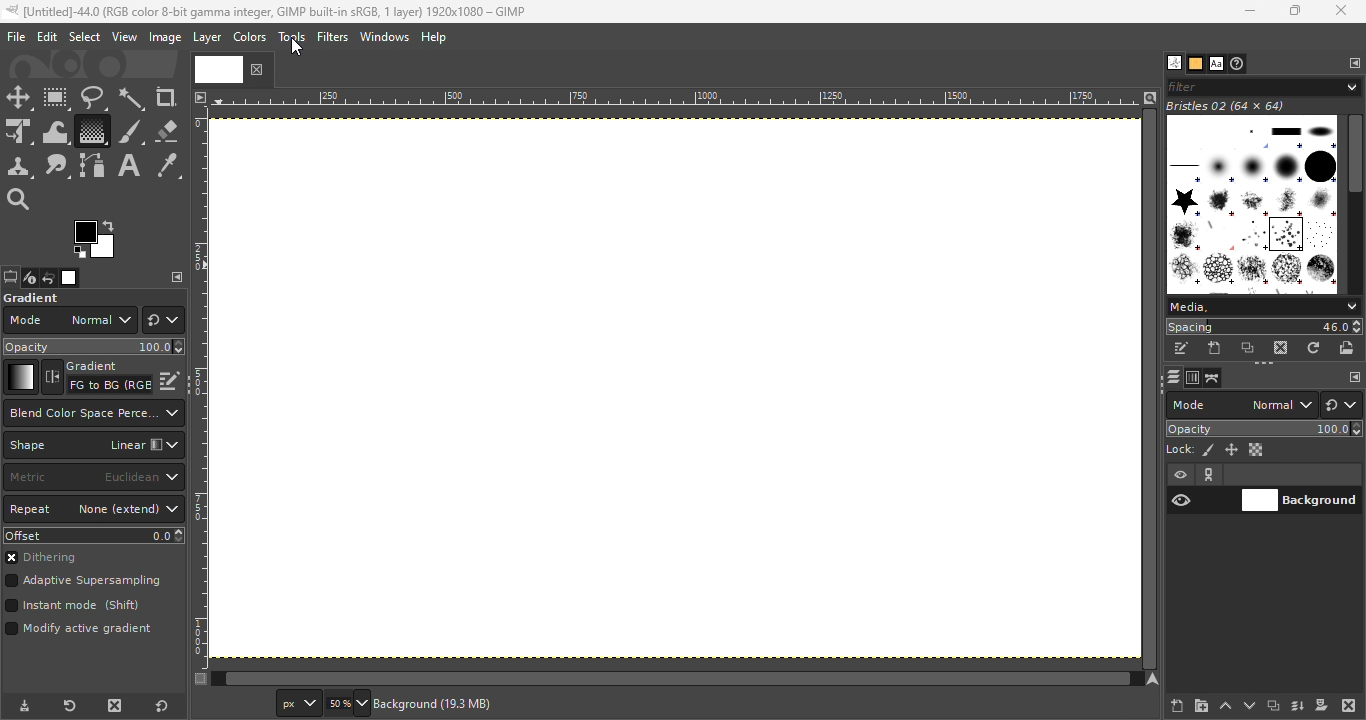 The height and width of the screenshot is (720, 1366). Describe the element at coordinates (1353, 64) in the screenshot. I see `Configure this tab` at that location.